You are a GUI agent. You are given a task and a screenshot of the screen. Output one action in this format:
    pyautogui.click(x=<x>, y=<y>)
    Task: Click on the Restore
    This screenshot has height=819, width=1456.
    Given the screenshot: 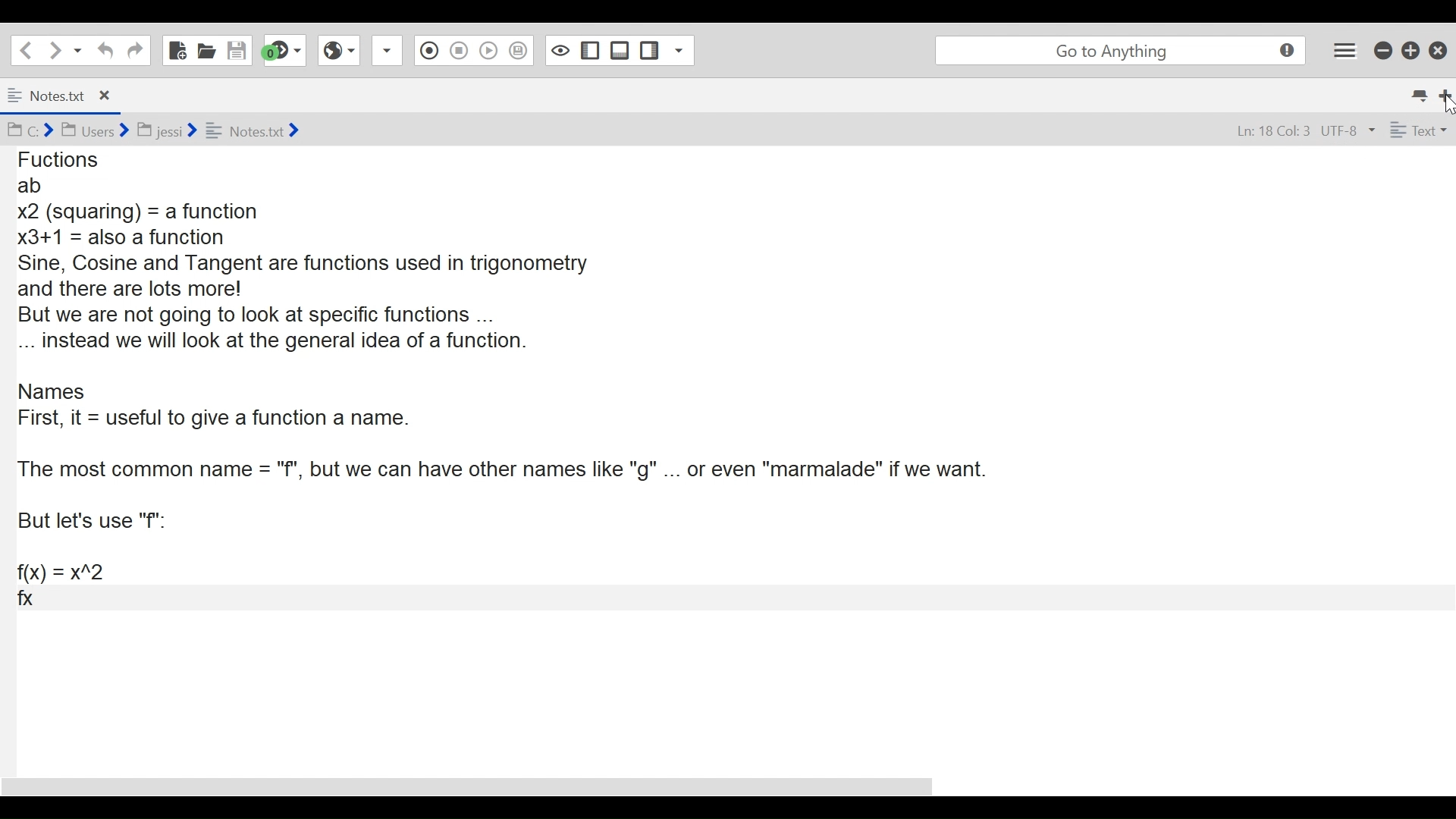 What is the action you would take?
    pyautogui.click(x=1409, y=50)
    